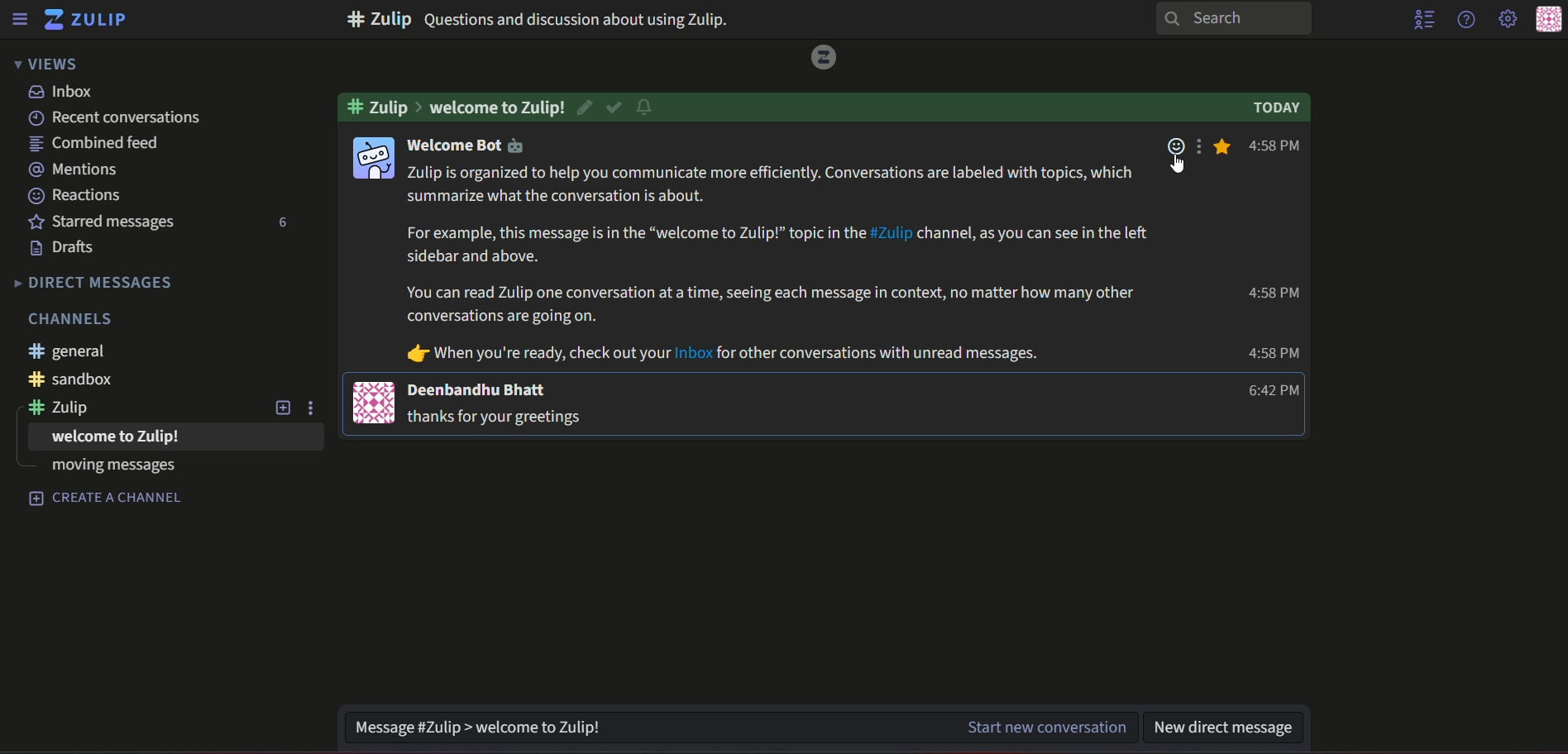 The width and height of the screenshot is (1568, 754). Describe the element at coordinates (110, 467) in the screenshot. I see `Moving messages` at that location.